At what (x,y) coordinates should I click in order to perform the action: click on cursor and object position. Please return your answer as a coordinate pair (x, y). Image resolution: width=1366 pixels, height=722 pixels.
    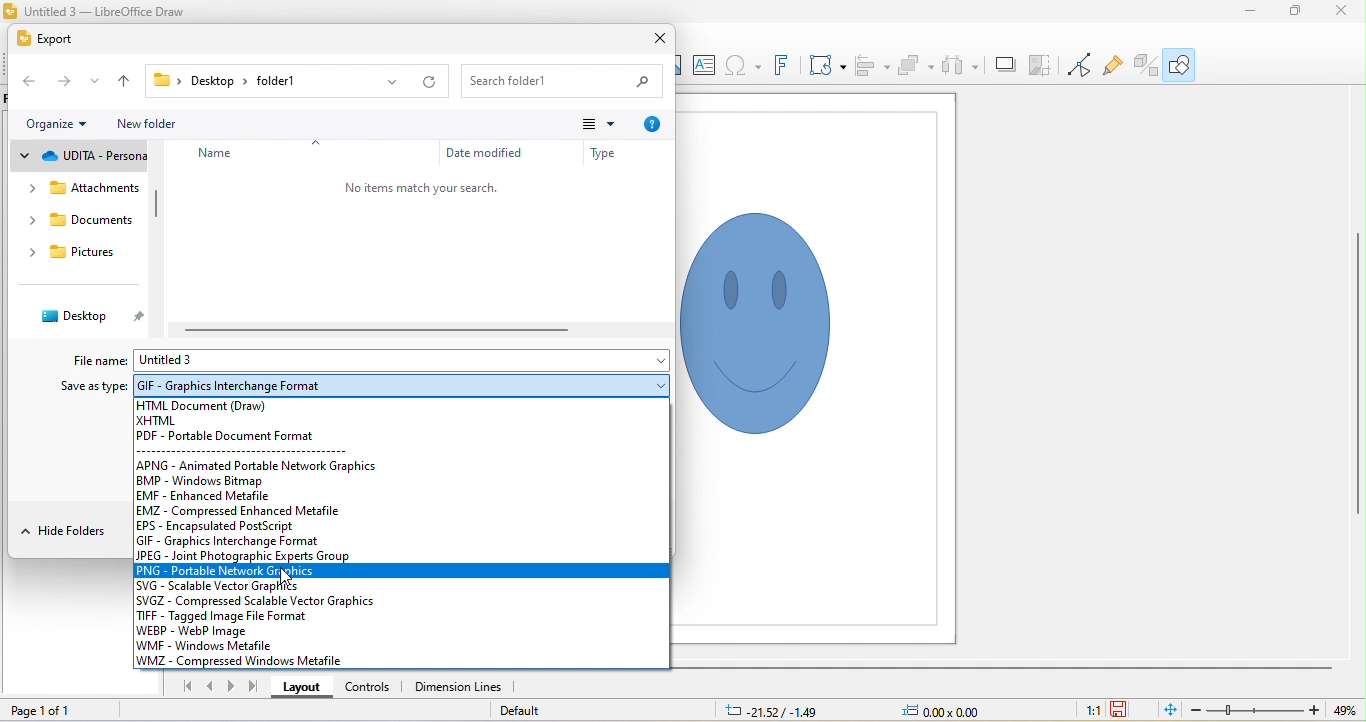
    Looking at the image, I should click on (851, 709).